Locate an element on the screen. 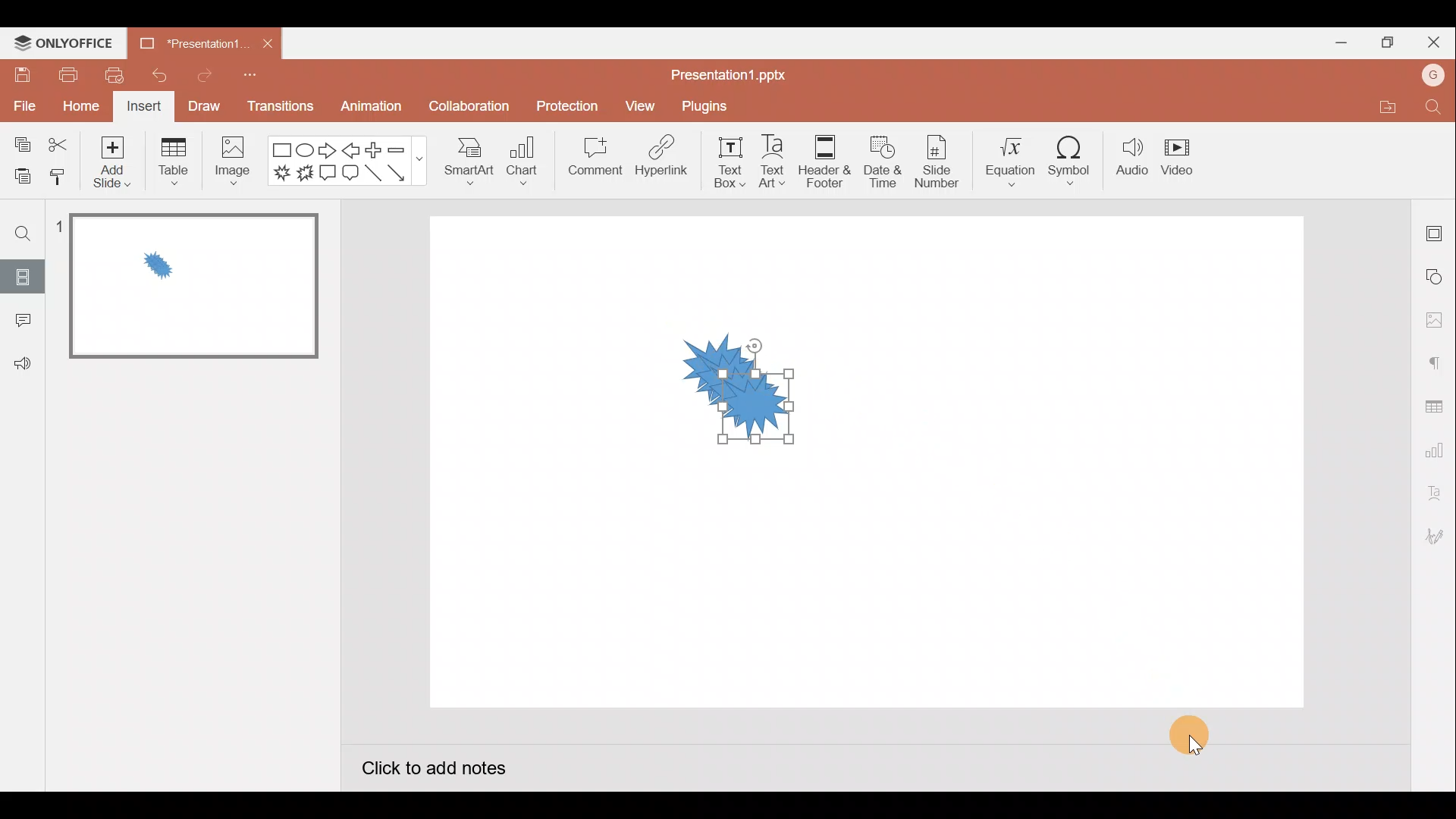 The height and width of the screenshot is (819, 1456). Explosion 2 is located at coordinates (306, 177).